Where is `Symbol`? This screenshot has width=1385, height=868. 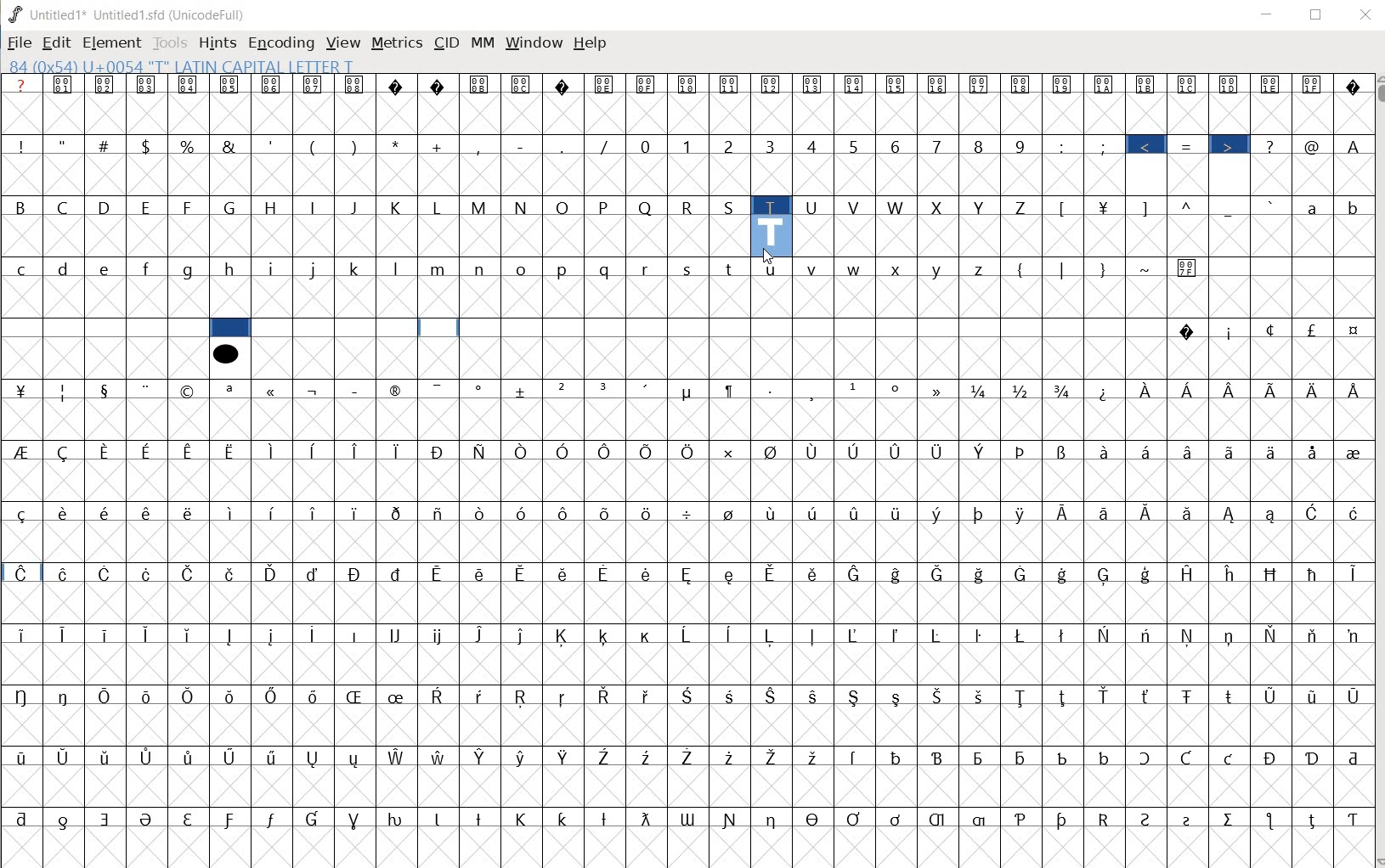 Symbol is located at coordinates (605, 511).